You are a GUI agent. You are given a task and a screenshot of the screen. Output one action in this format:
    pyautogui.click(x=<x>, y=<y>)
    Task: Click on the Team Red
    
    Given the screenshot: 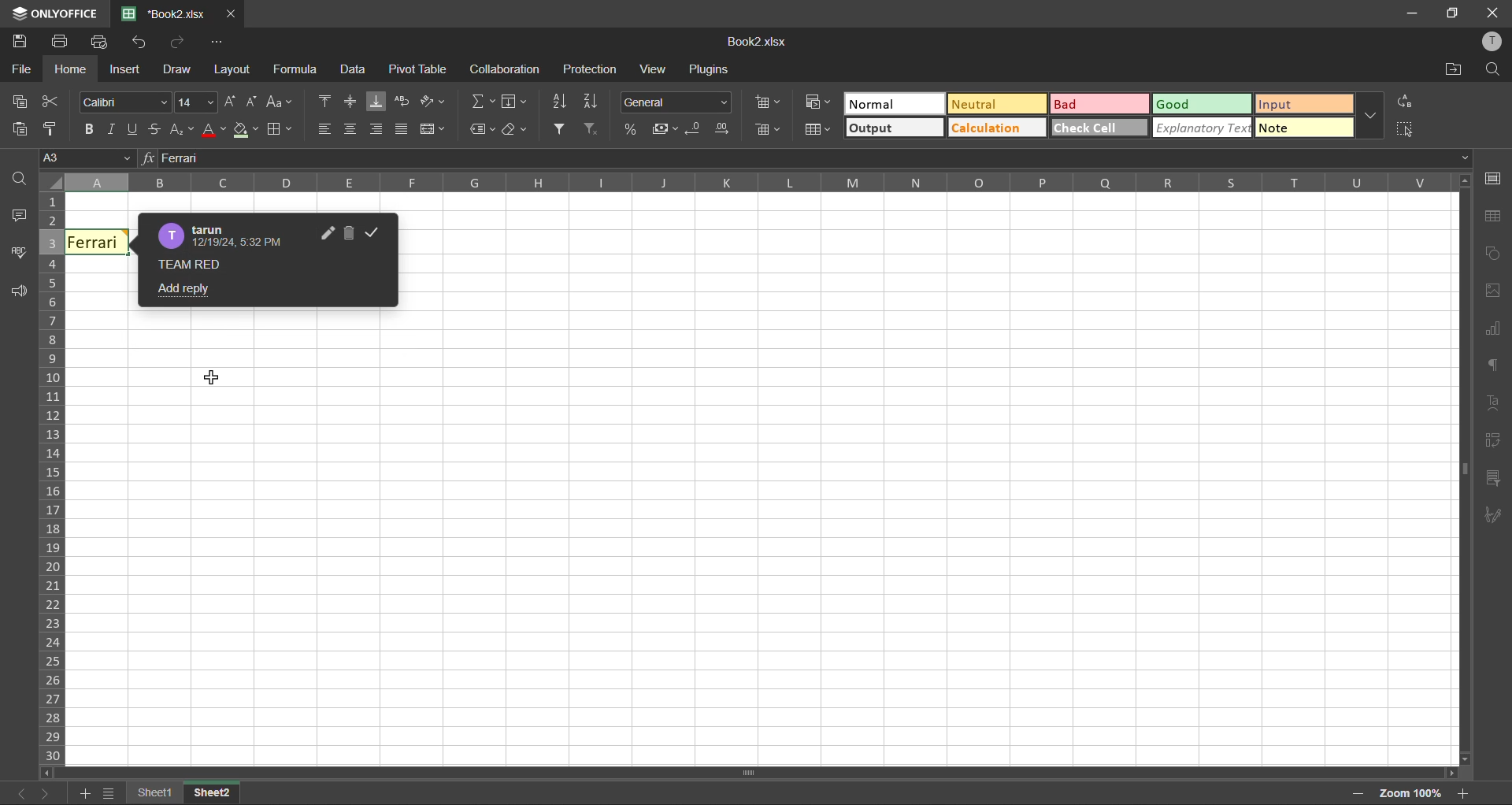 What is the action you would take?
    pyautogui.click(x=191, y=264)
    